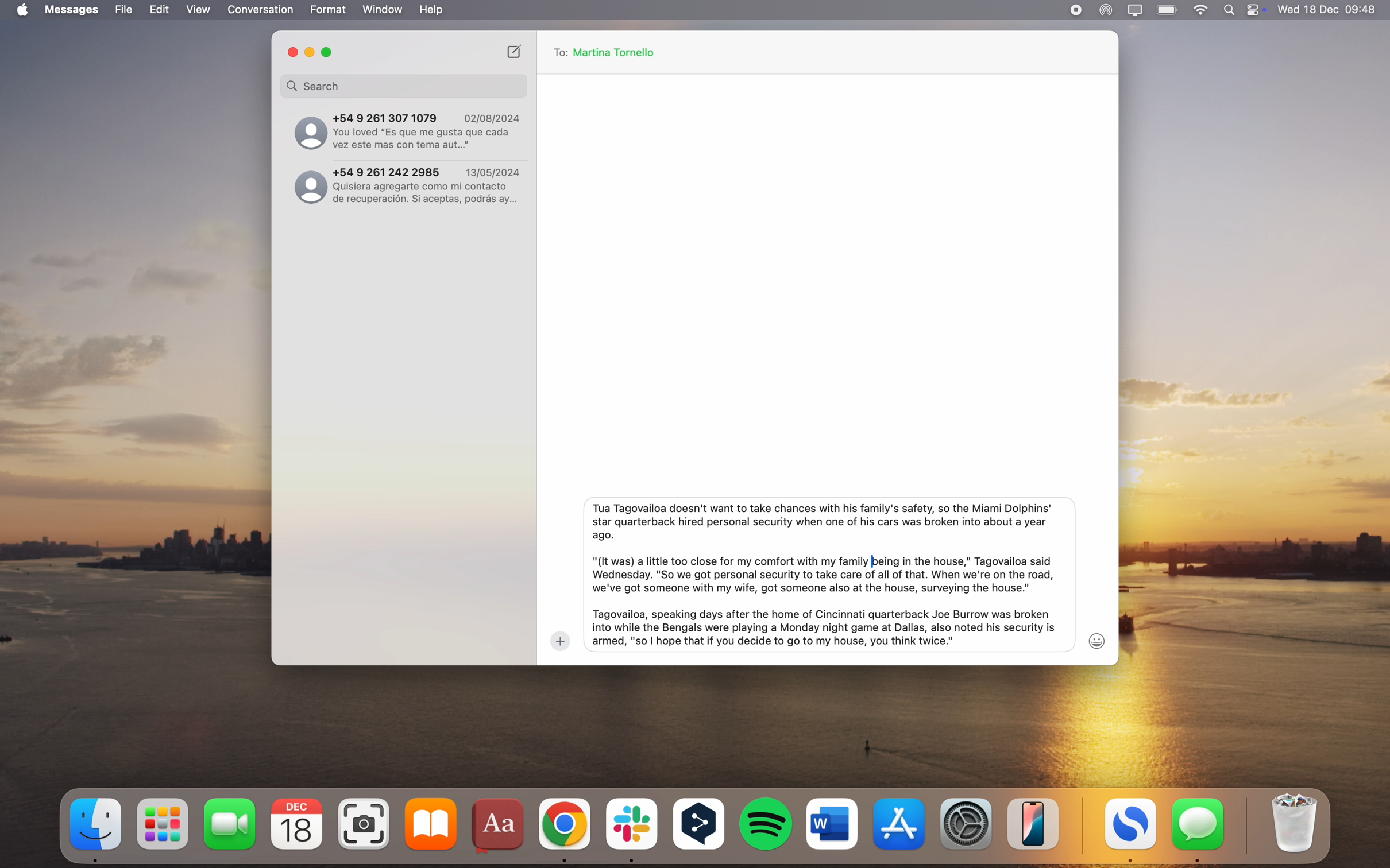 The height and width of the screenshot is (868, 1390). I want to click on martina tornello, so click(619, 52).